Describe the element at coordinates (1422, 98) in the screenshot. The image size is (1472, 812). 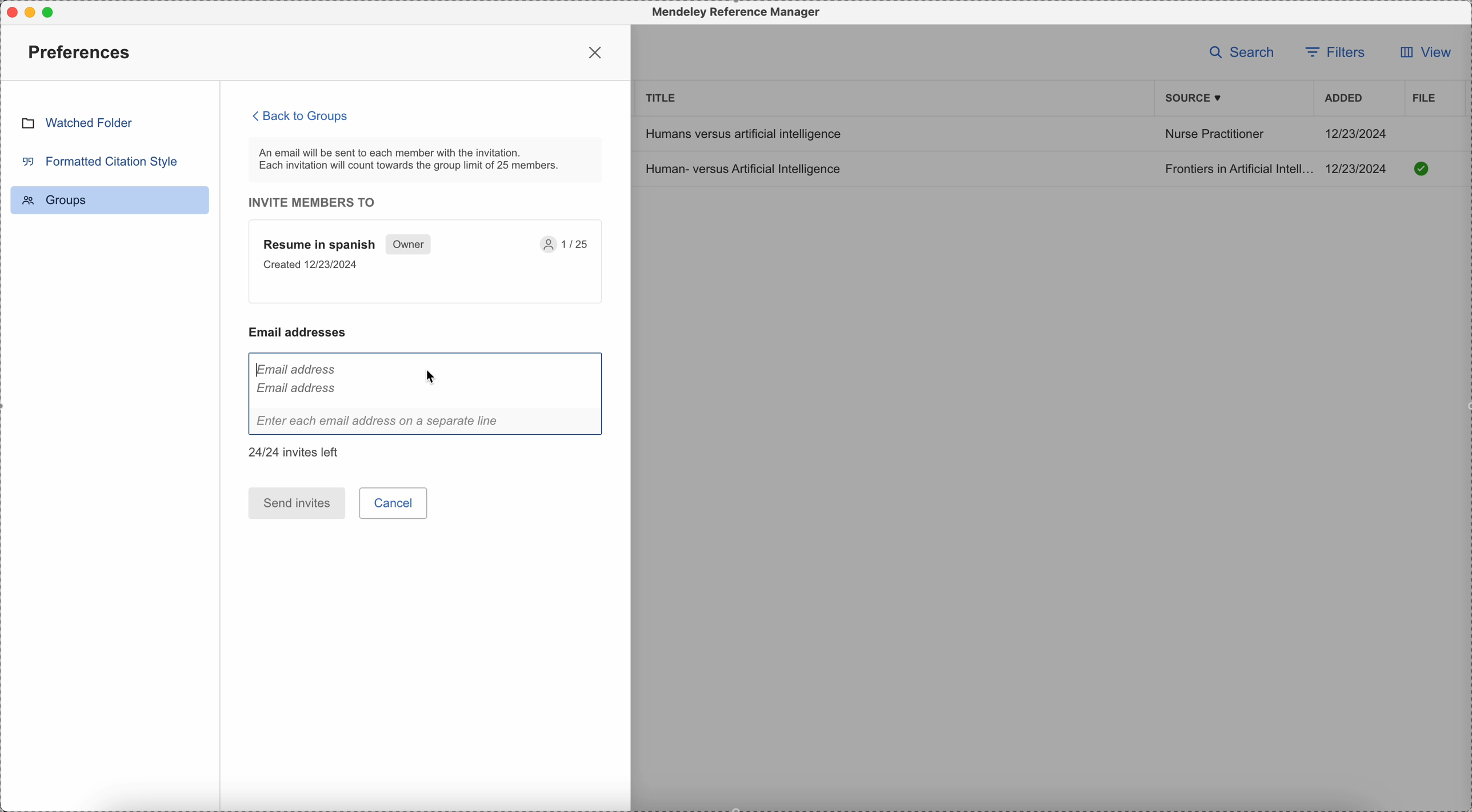
I see `file` at that location.